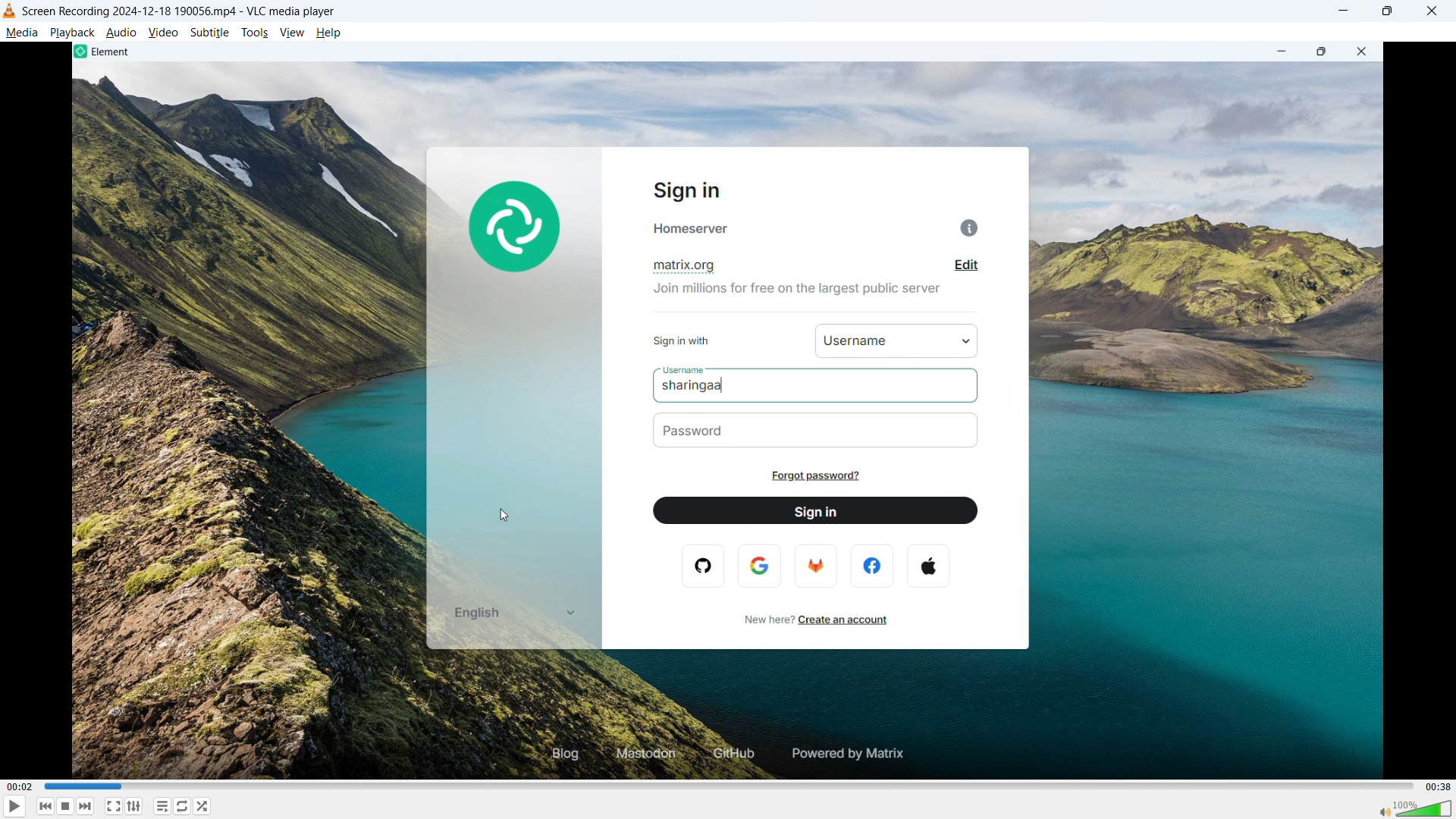 This screenshot has height=819, width=1456. Describe the element at coordinates (696, 190) in the screenshot. I see `Signin` at that location.